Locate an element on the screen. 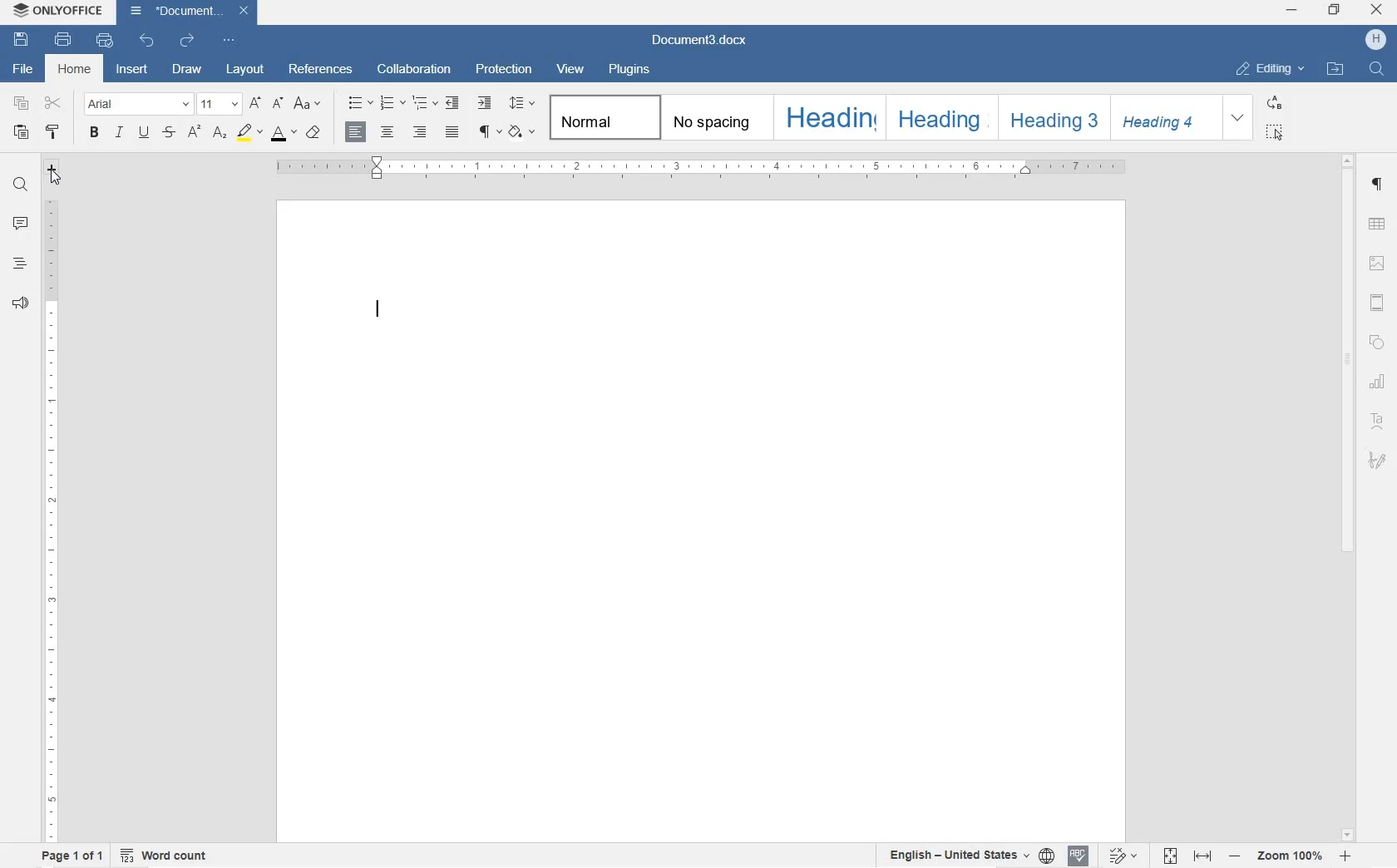  IMAGE is located at coordinates (1375, 263).